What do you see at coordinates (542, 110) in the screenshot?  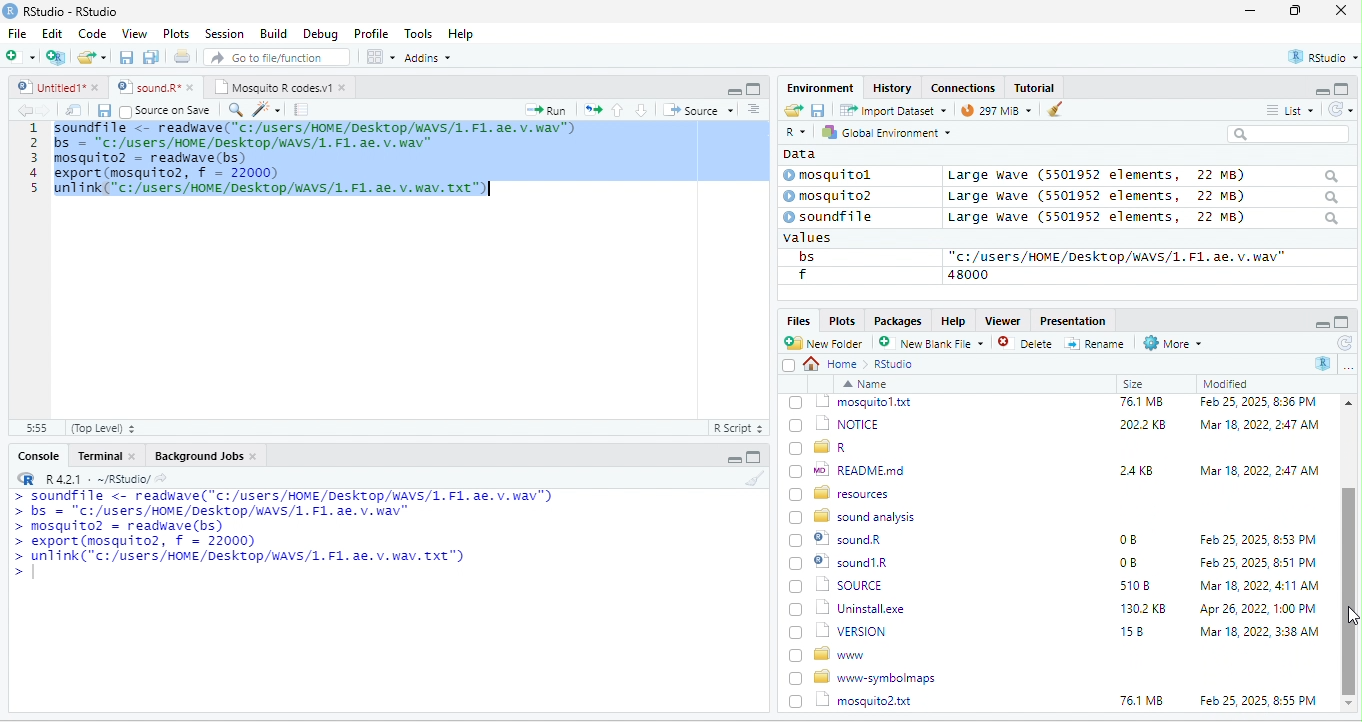 I see `Run` at bounding box center [542, 110].